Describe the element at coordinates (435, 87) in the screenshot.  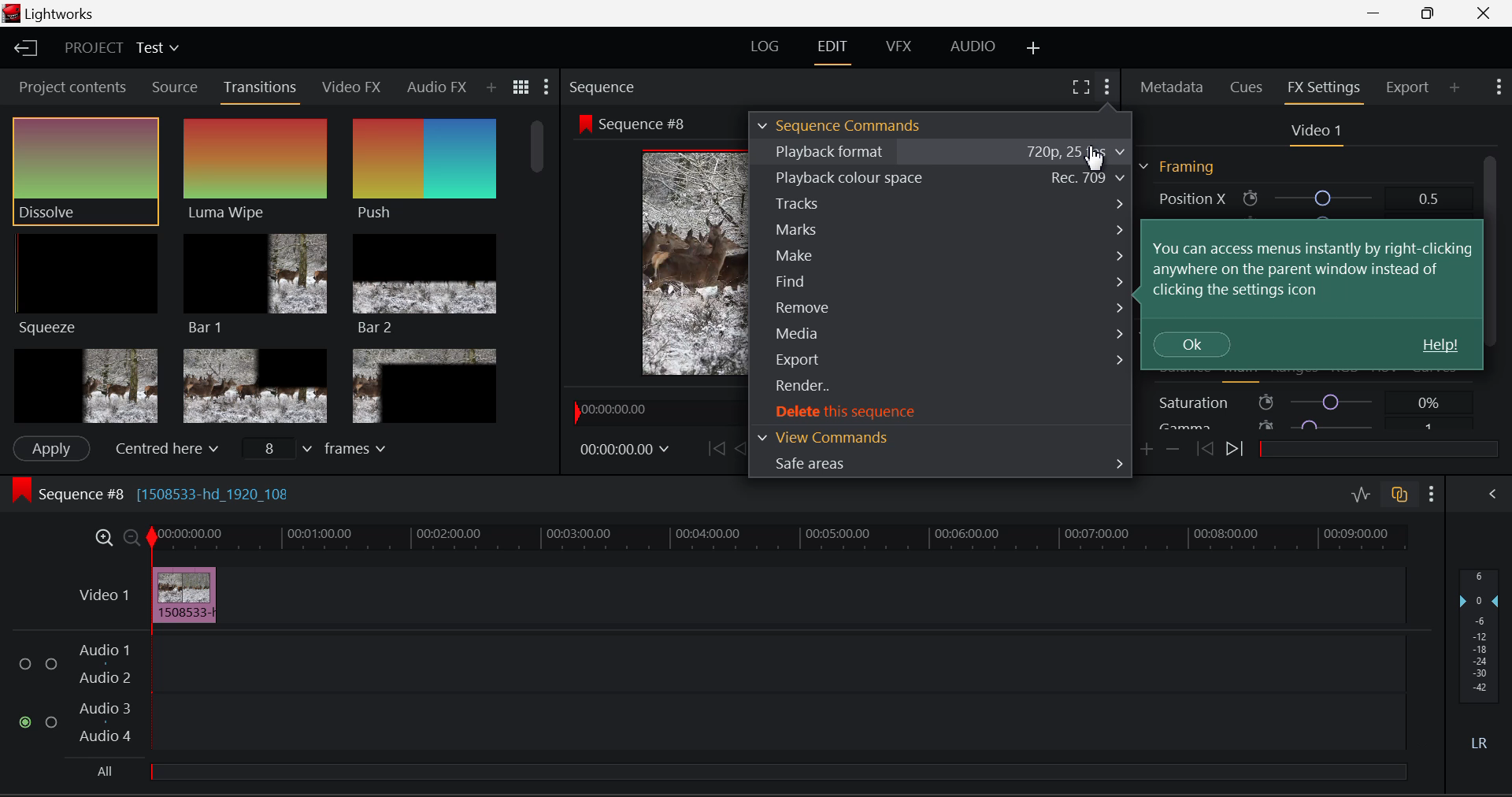
I see `Audio FX` at that location.